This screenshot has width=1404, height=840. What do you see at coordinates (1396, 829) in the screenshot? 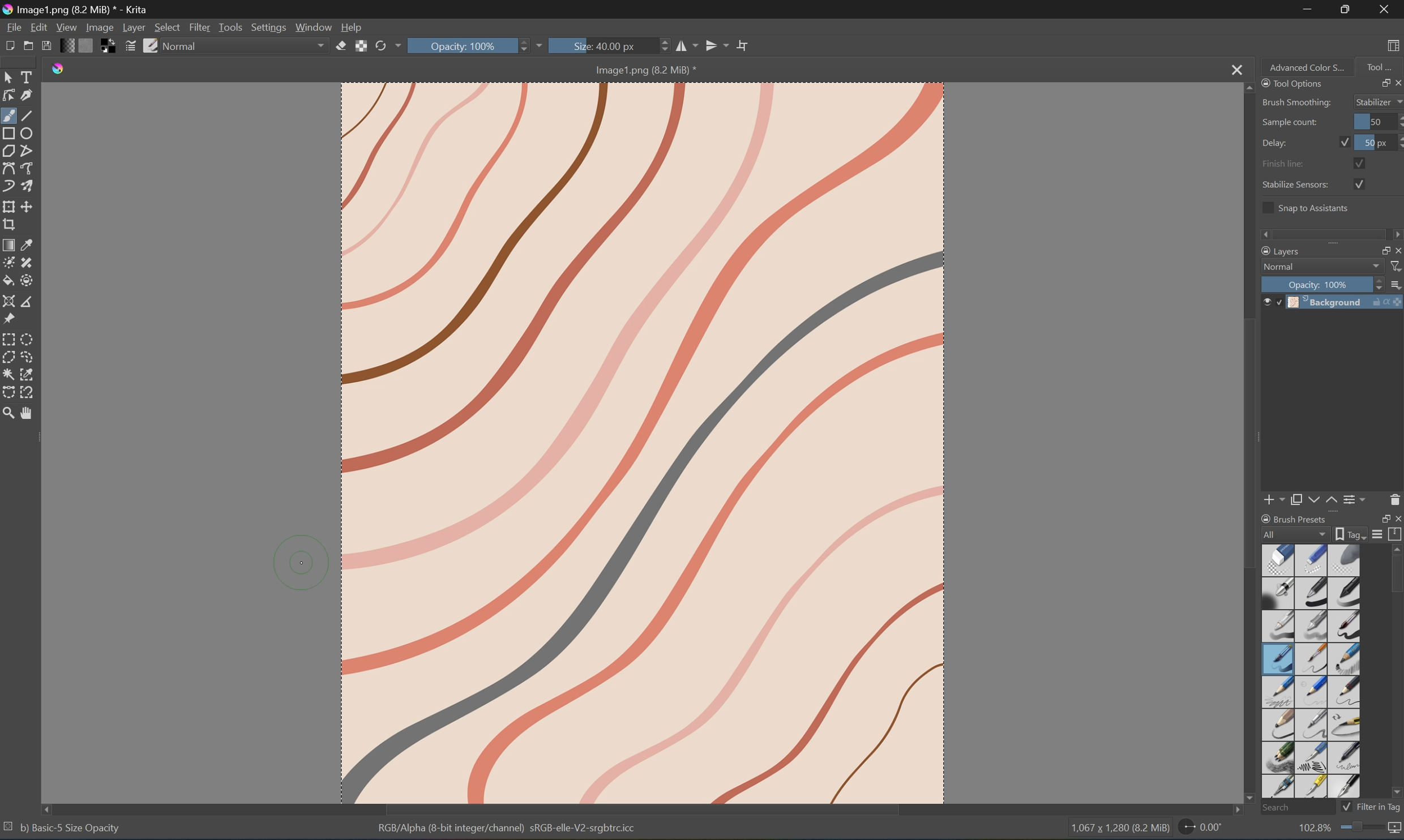
I see `Map the displayed canvas size between pixel size or print size` at bounding box center [1396, 829].